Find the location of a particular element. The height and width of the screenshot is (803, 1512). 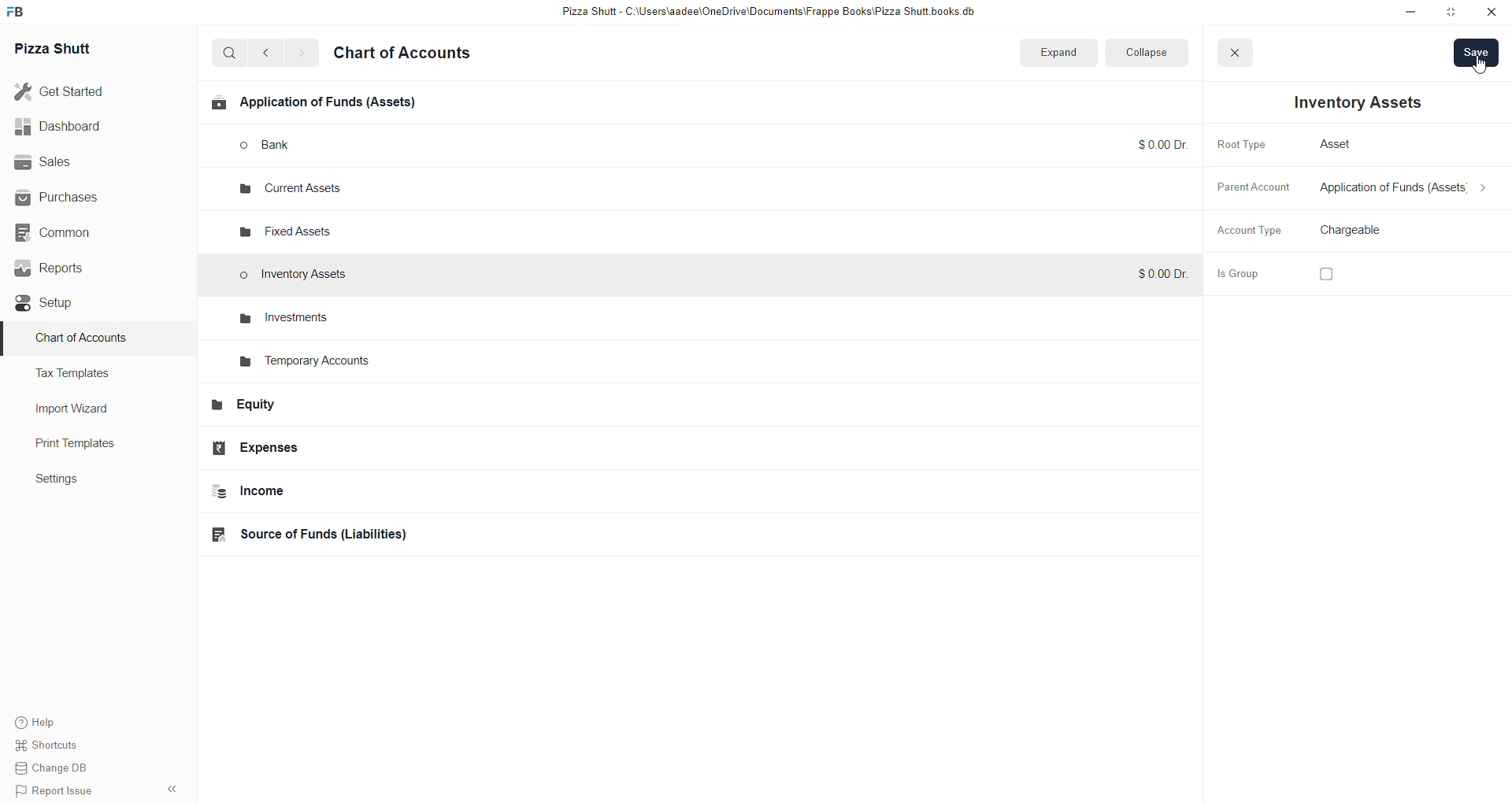

Temporary Accounts  is located at coordinates (309, 364).